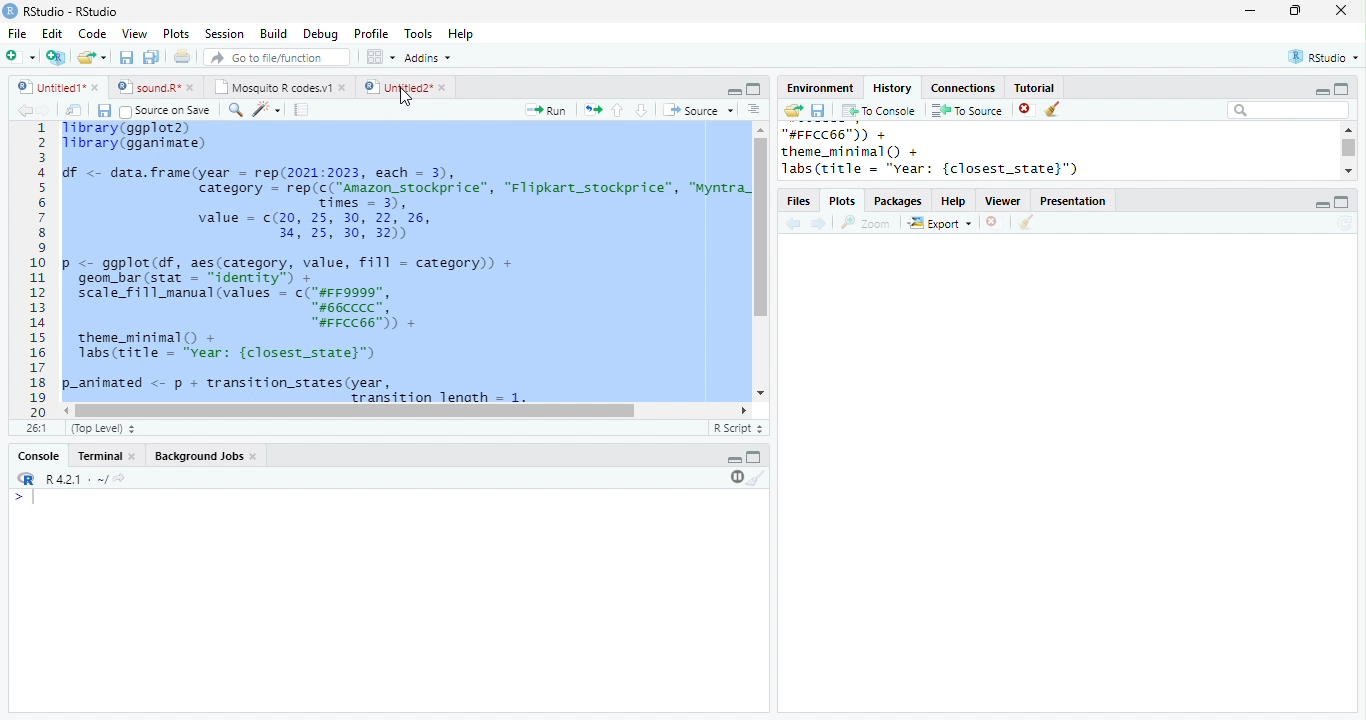 This screenshot has width=1366, height=720. Describe the element at coordinates (594, 109) in the screenshot. I see `rerun` at that location.